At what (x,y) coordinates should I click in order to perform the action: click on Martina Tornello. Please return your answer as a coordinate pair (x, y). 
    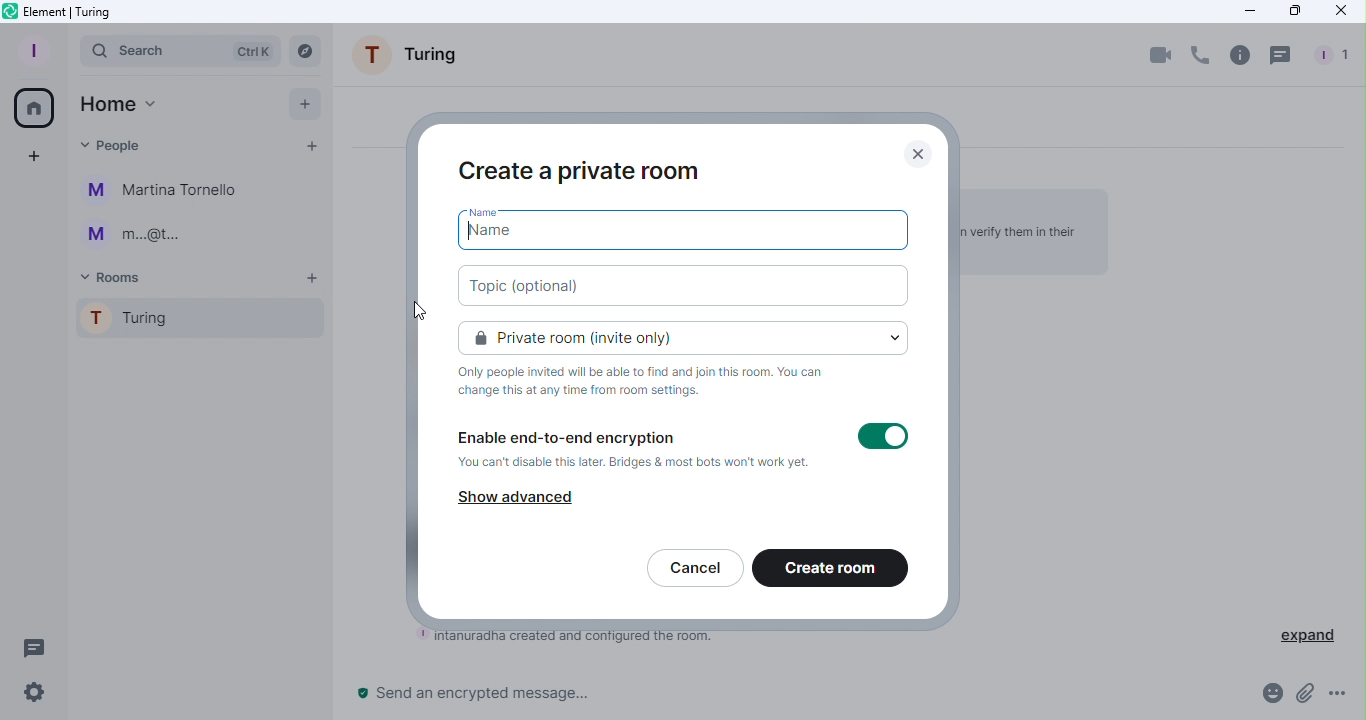
    Looking at the image, I should click on (165, 191).